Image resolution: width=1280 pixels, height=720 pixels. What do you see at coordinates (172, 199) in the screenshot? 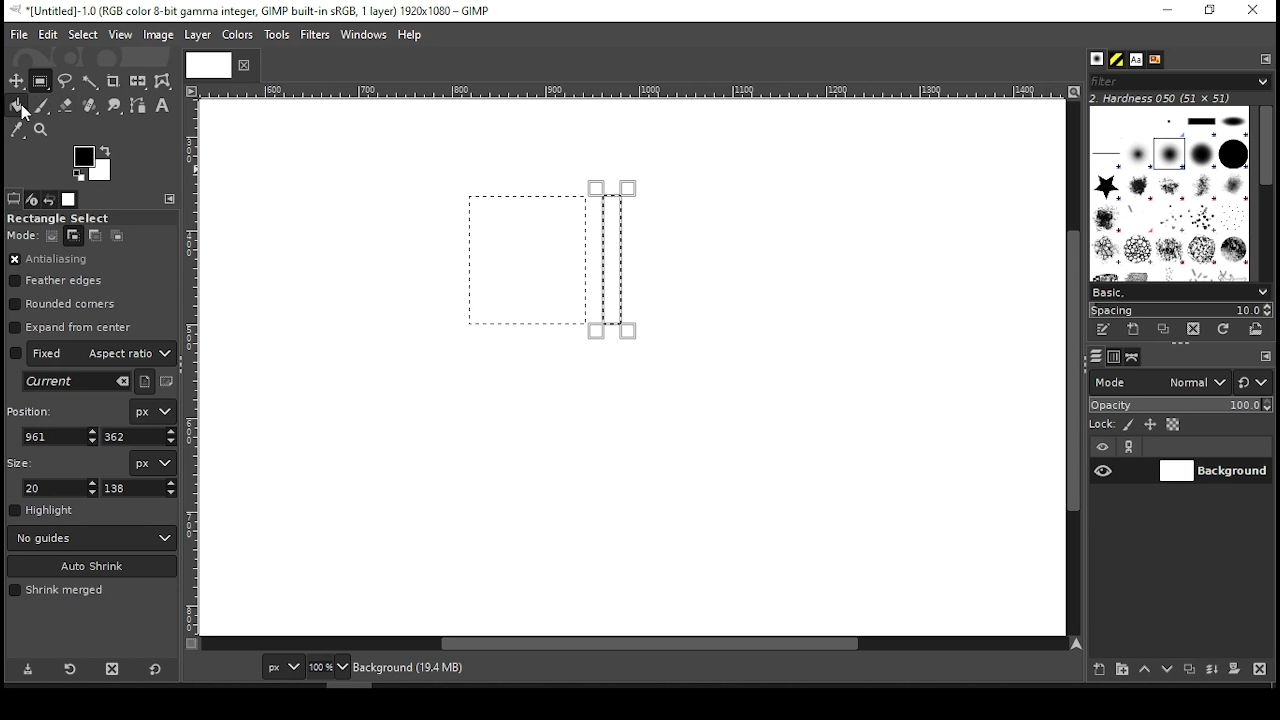
I see `configure this tab` at bounding box center [172, 199].